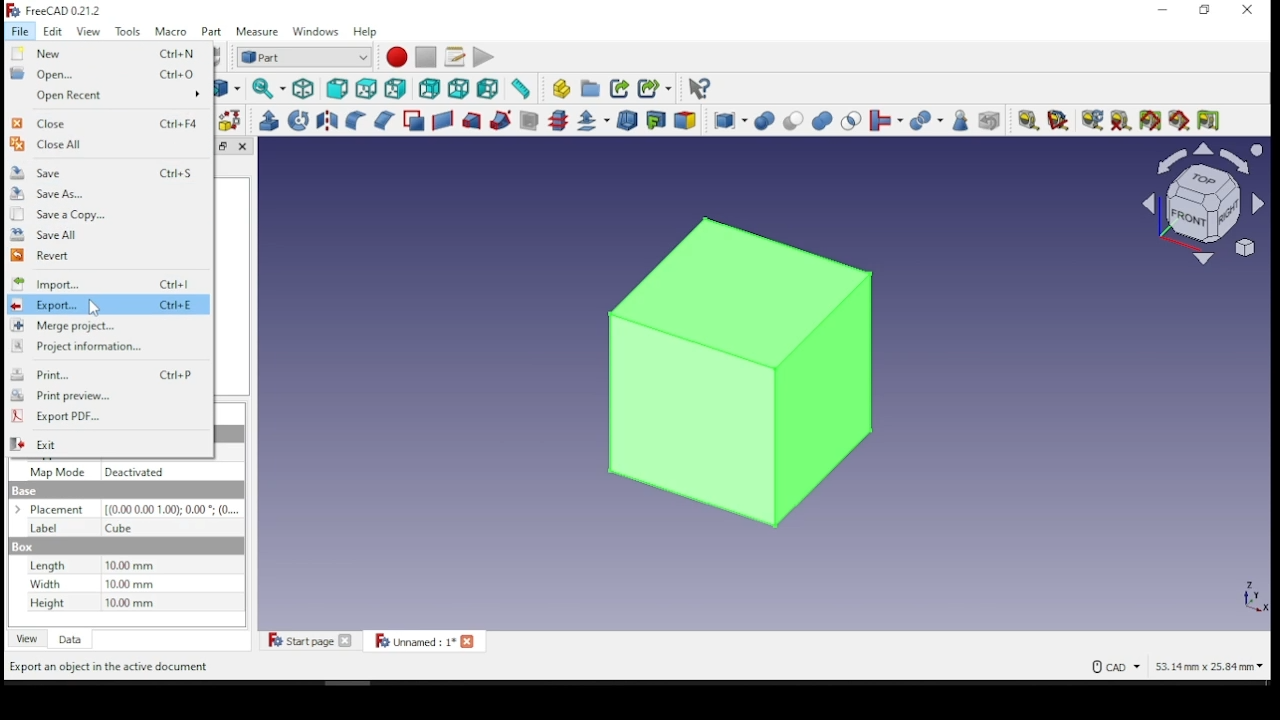 This screenshot has height=720, width=1280. Describe the element at coordinates (259, 33) in the screenshot. I see `measure` at that location.